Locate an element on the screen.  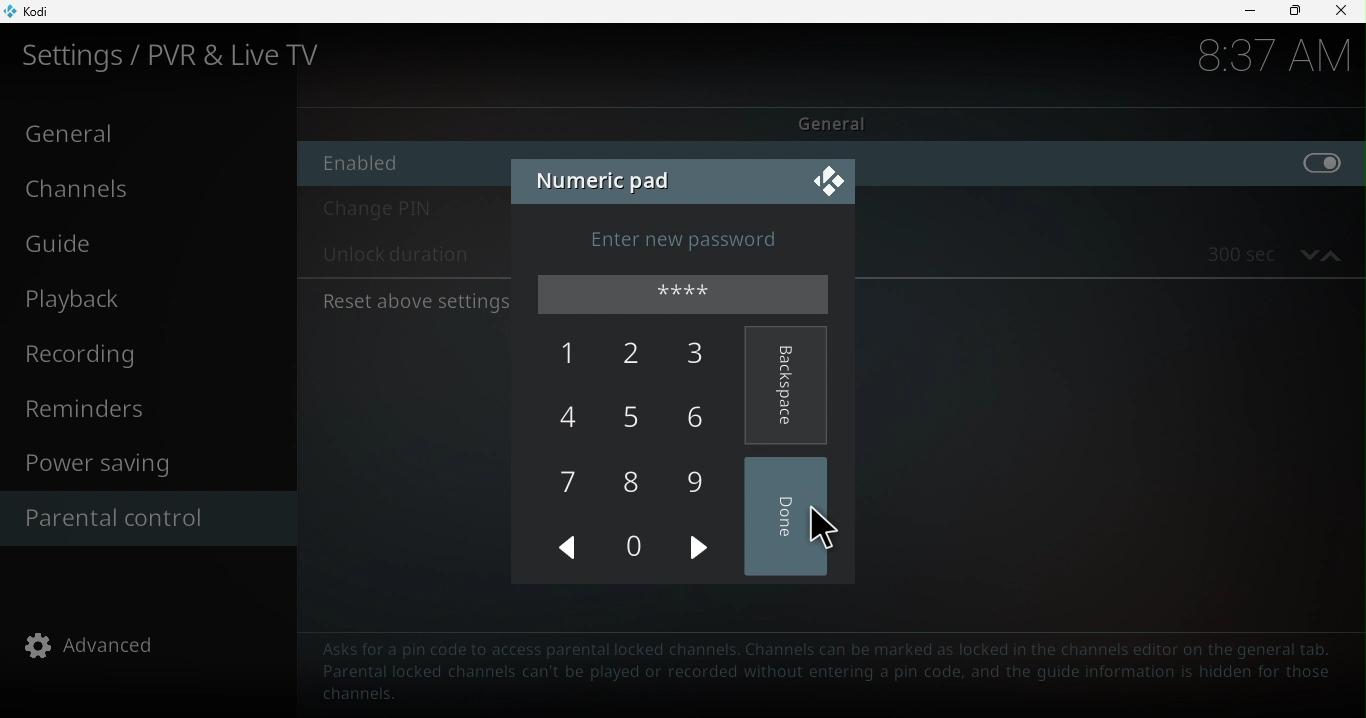
300 sec is located at coordinates (1229, 254).